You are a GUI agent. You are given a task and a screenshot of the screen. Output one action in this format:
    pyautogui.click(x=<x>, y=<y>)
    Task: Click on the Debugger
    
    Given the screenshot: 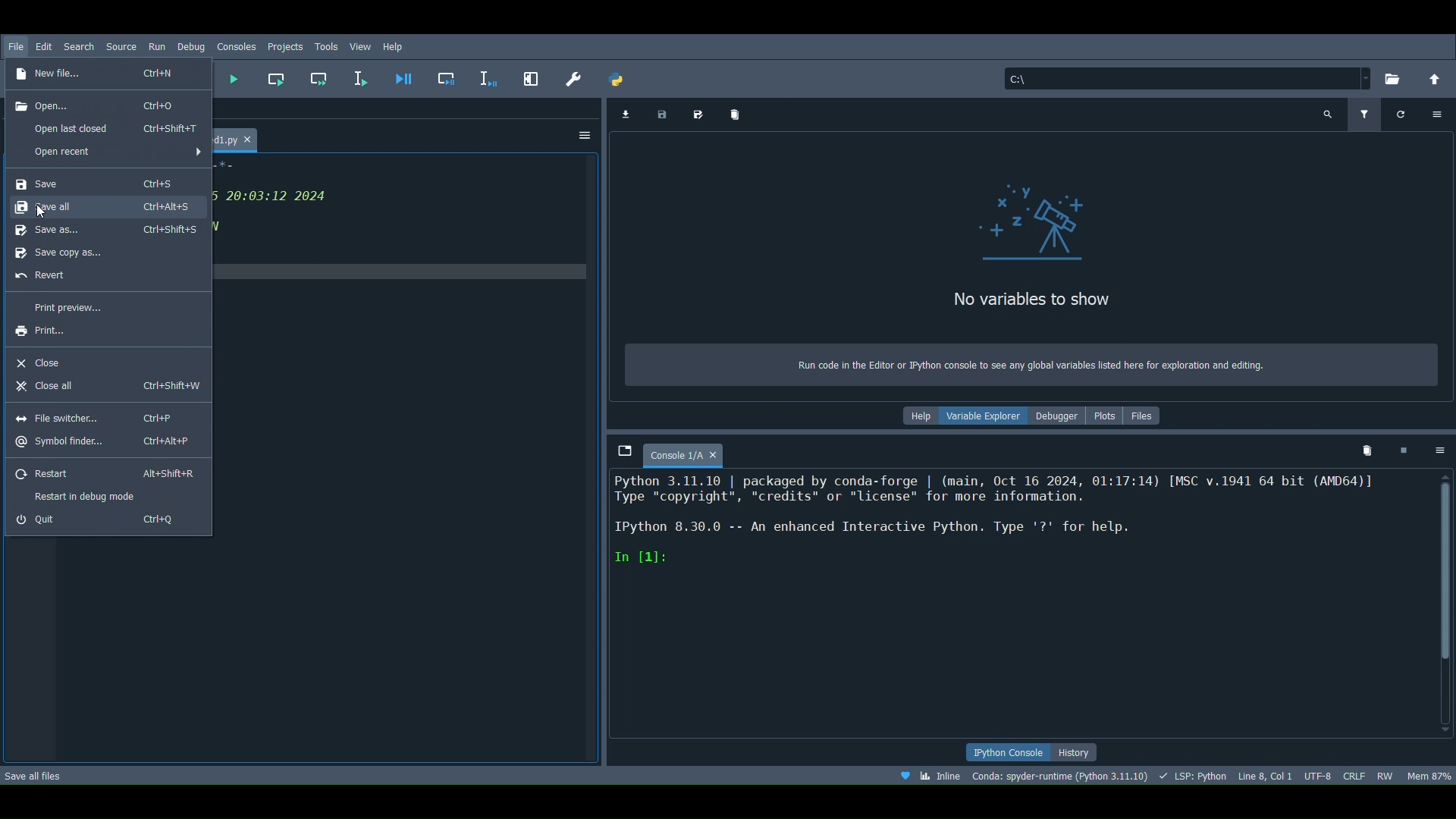 What is the action you would take?
    pyautogui.click(x=1056, y=416)
    